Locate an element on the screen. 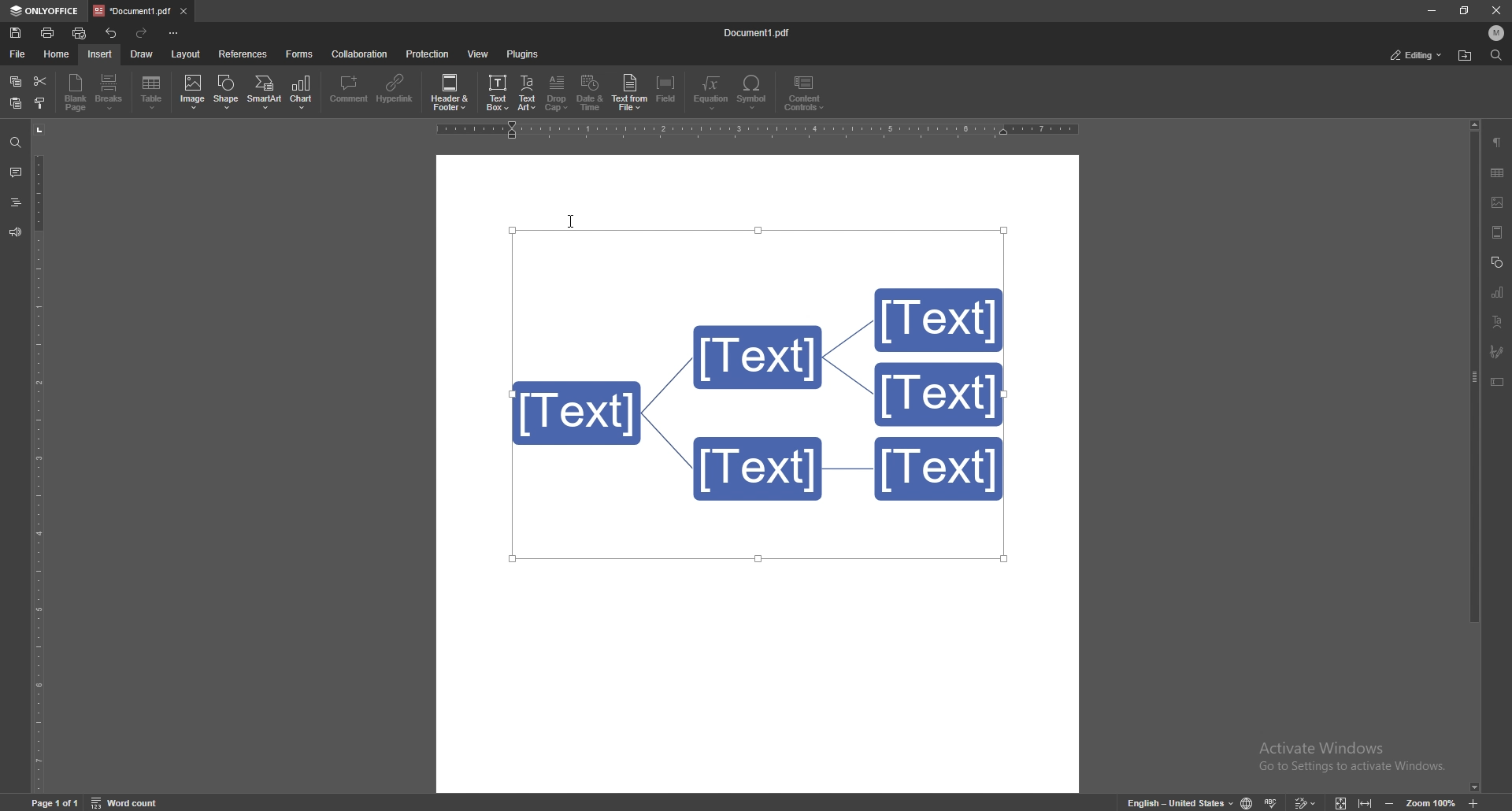  layout is located at coordinates (187, 54).